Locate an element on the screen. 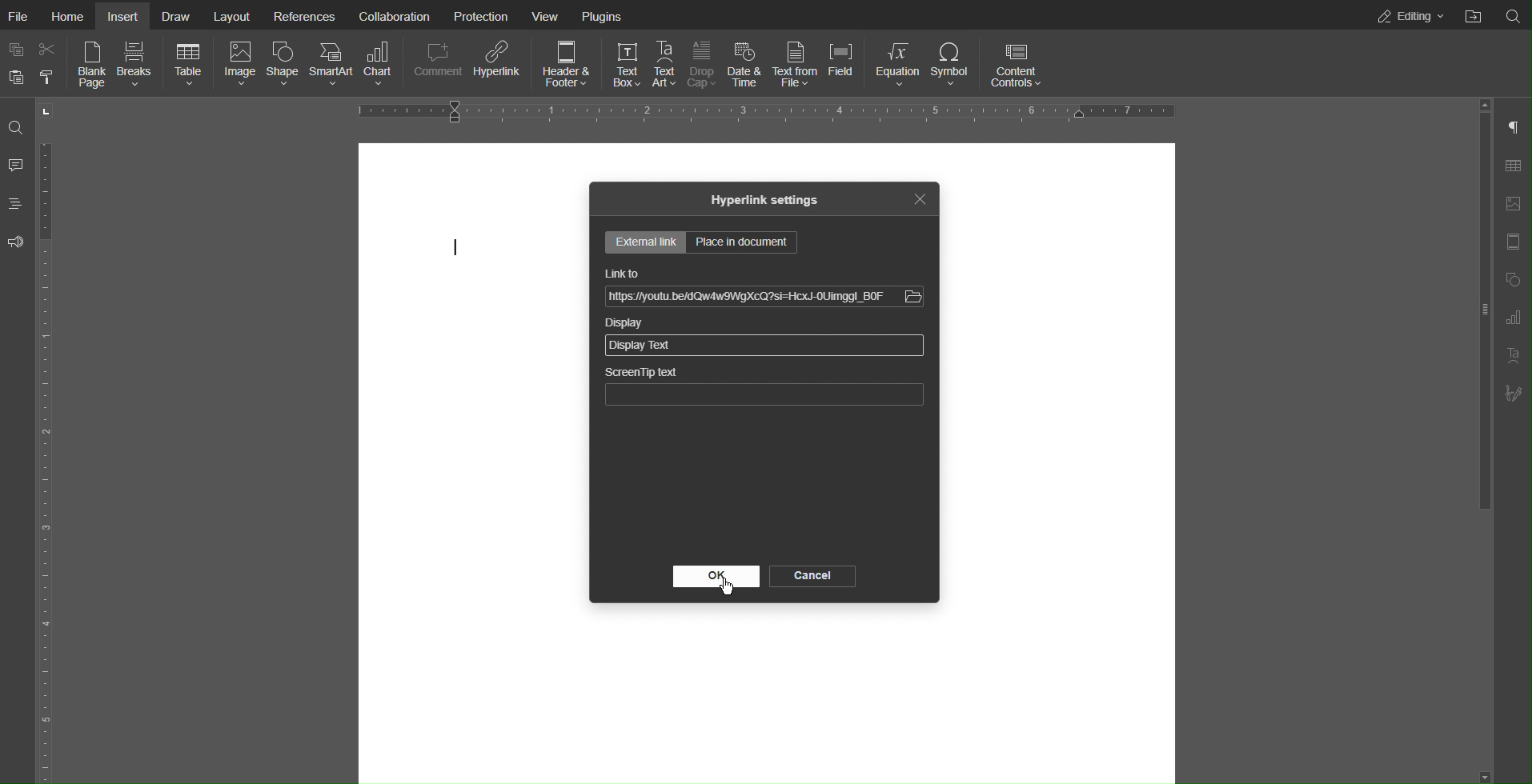 This screenshot has height=784, width=1532. Draw is located at coordinates (180, 16).